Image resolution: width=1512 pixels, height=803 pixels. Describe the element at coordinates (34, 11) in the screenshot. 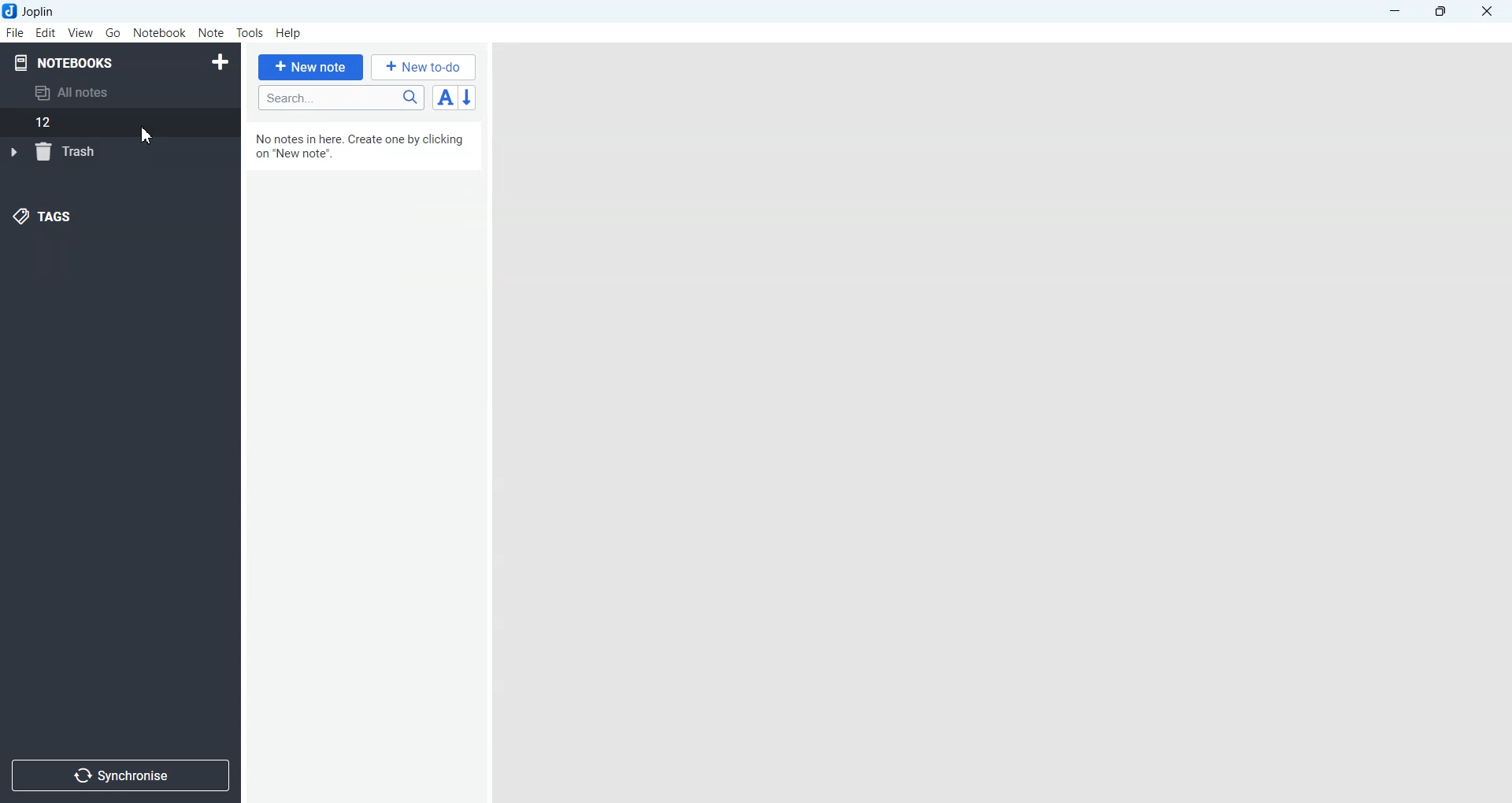

I see `Joplin` at that location.